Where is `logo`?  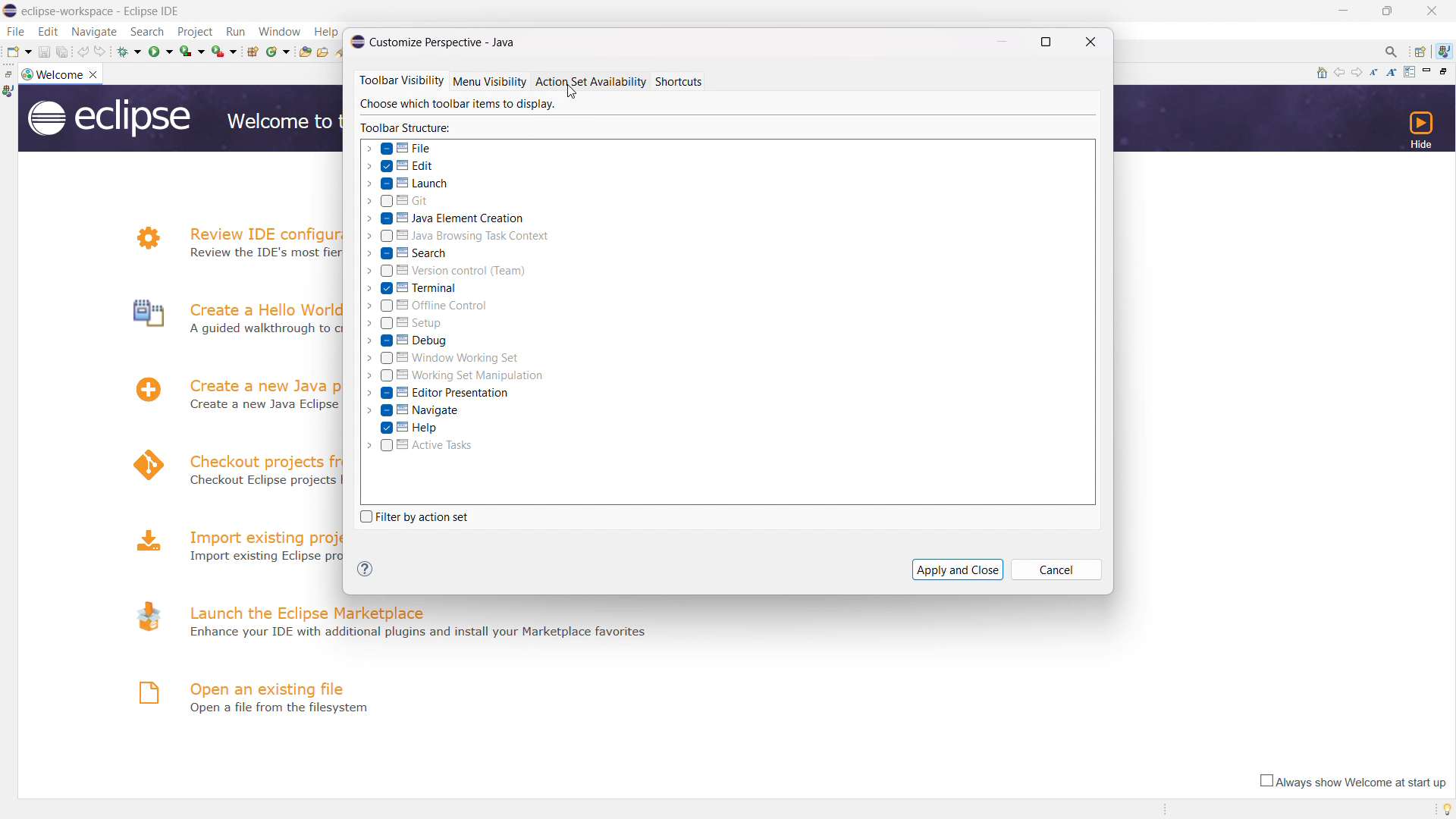 logo is located at coordinates (26, 74).